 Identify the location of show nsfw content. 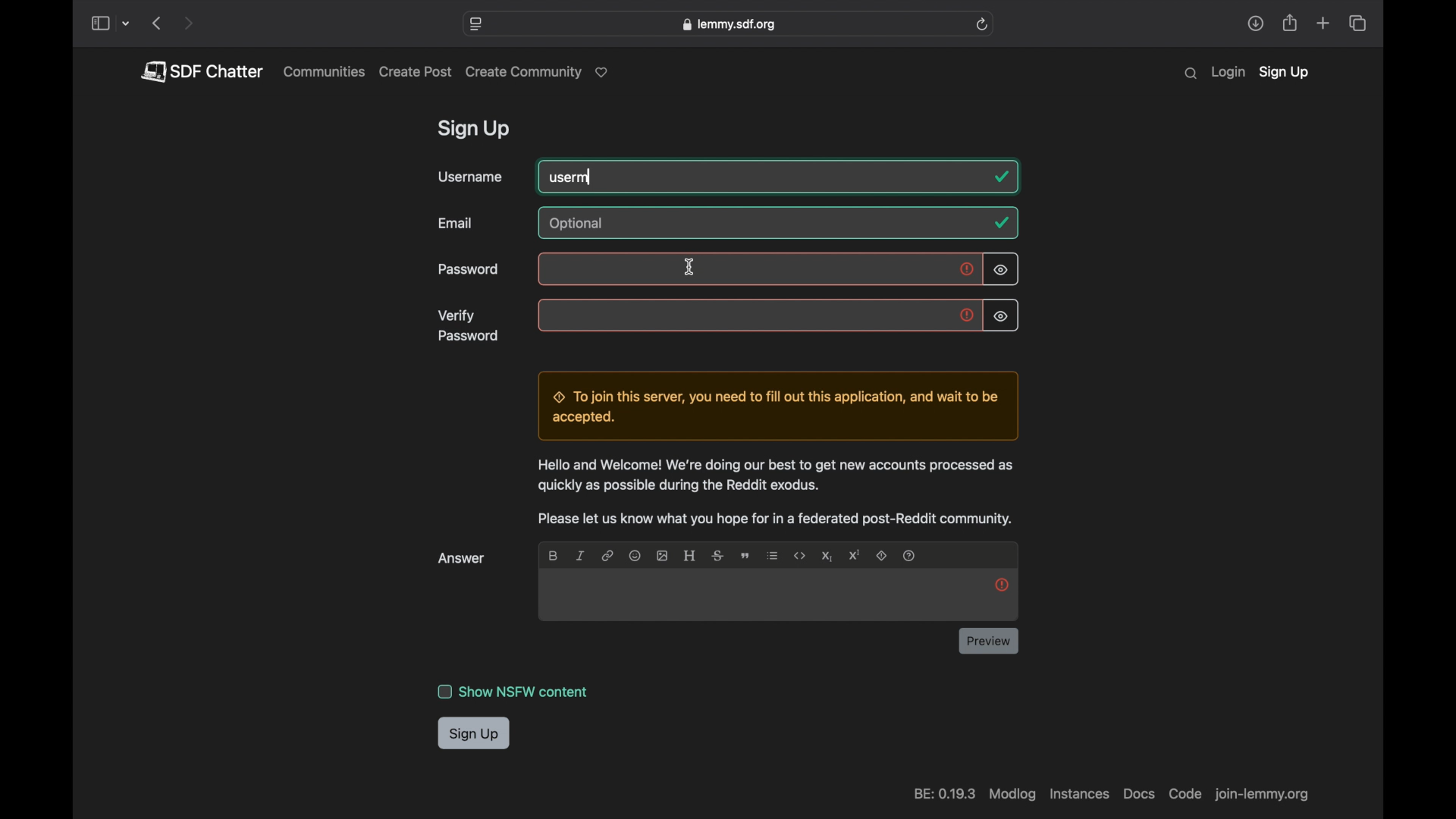
(513, 692).